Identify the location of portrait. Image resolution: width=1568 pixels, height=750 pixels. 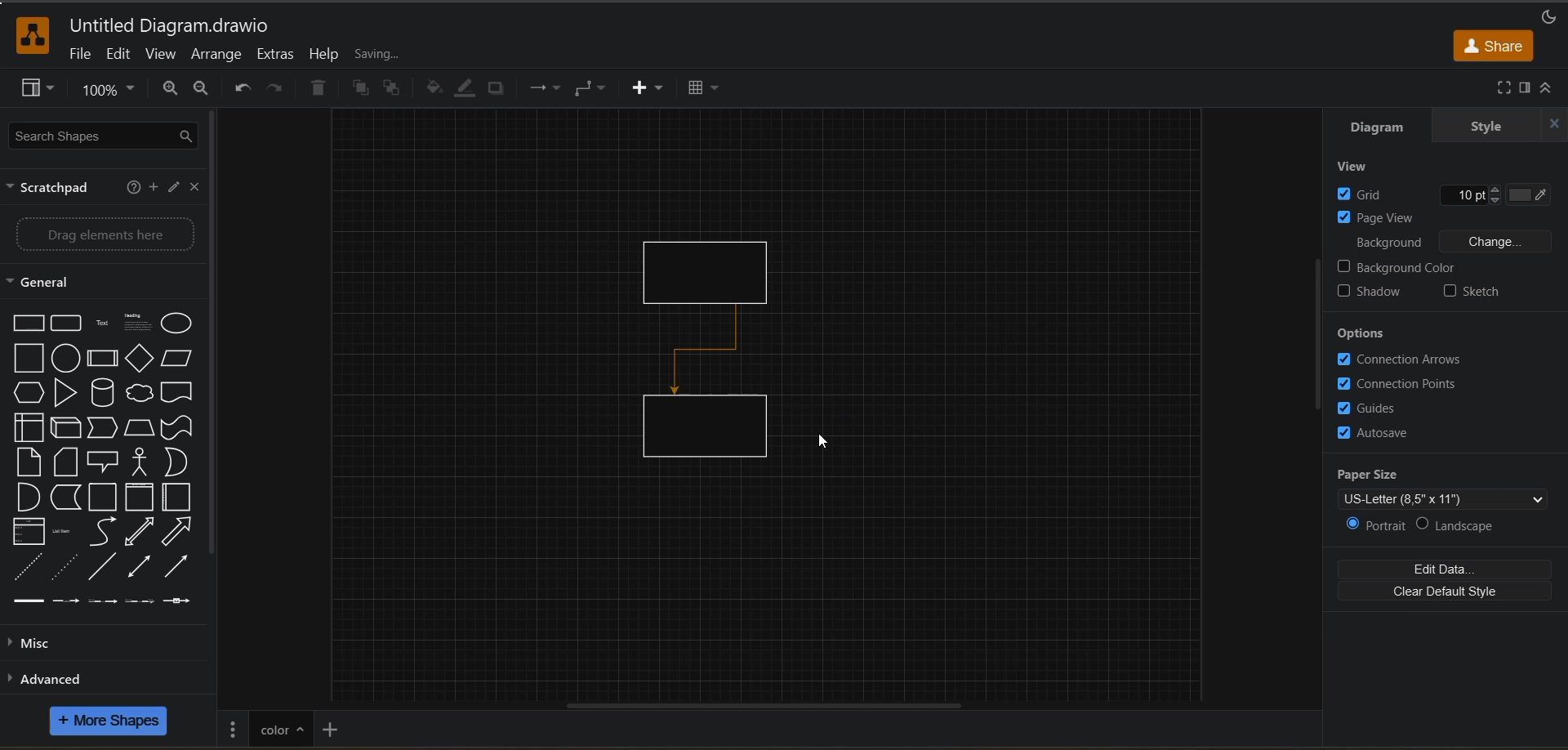
(1373, 525).